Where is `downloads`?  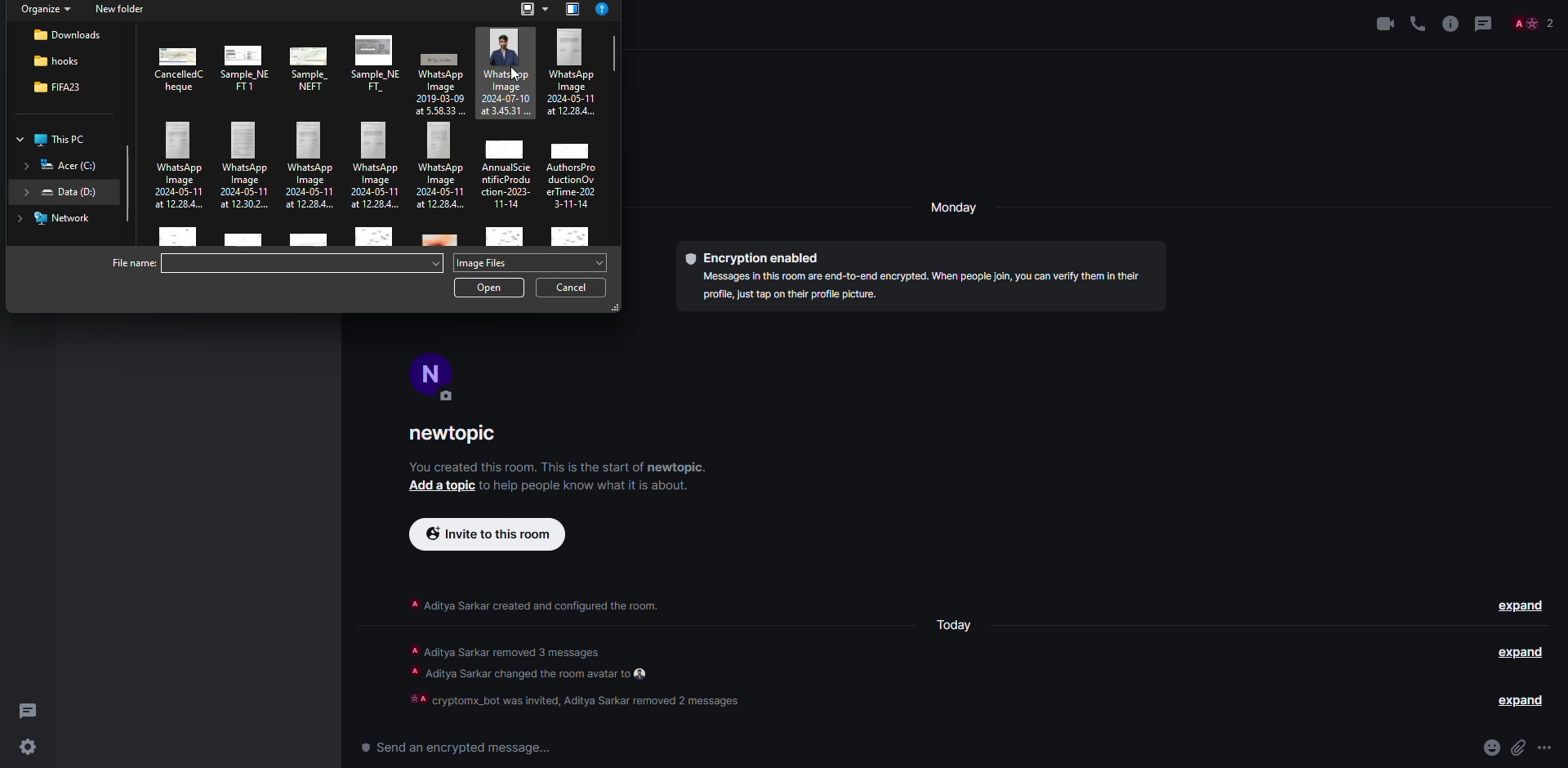 downloads is located at coordinates (69, 34).